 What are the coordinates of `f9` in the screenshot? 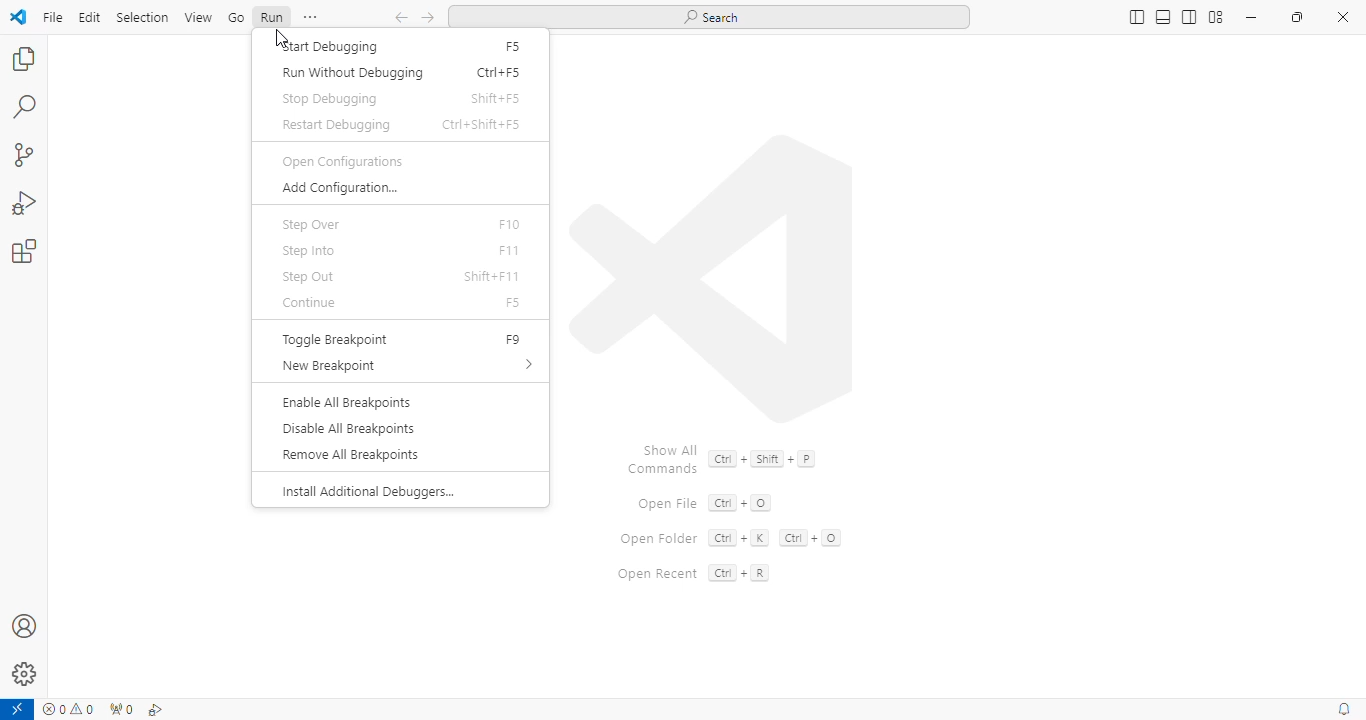 It's located at (514, 339).